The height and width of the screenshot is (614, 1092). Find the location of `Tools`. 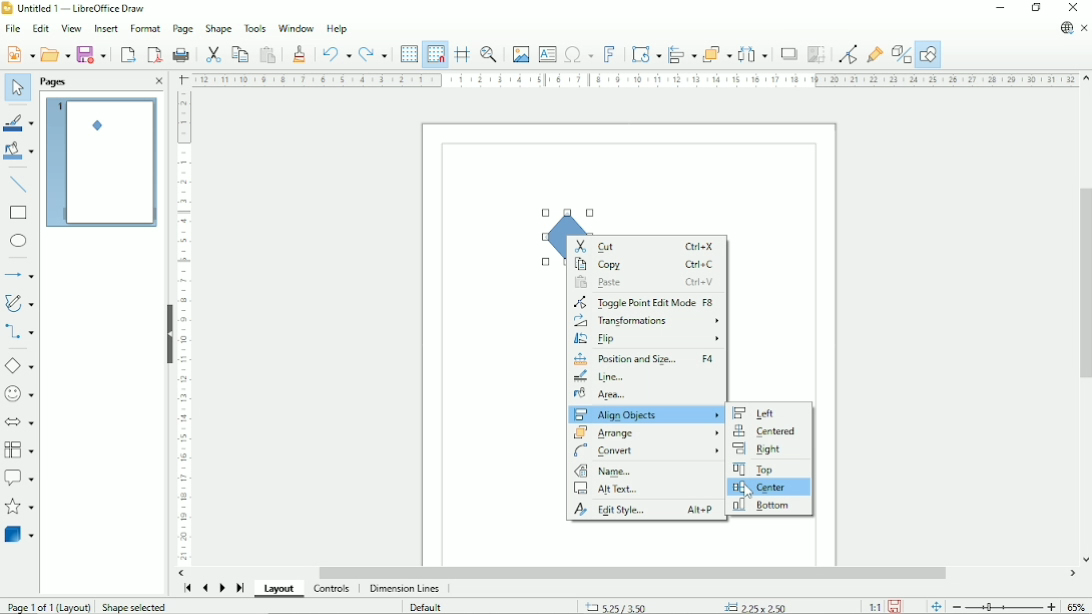

Tools is located at coordinates (255, 27).